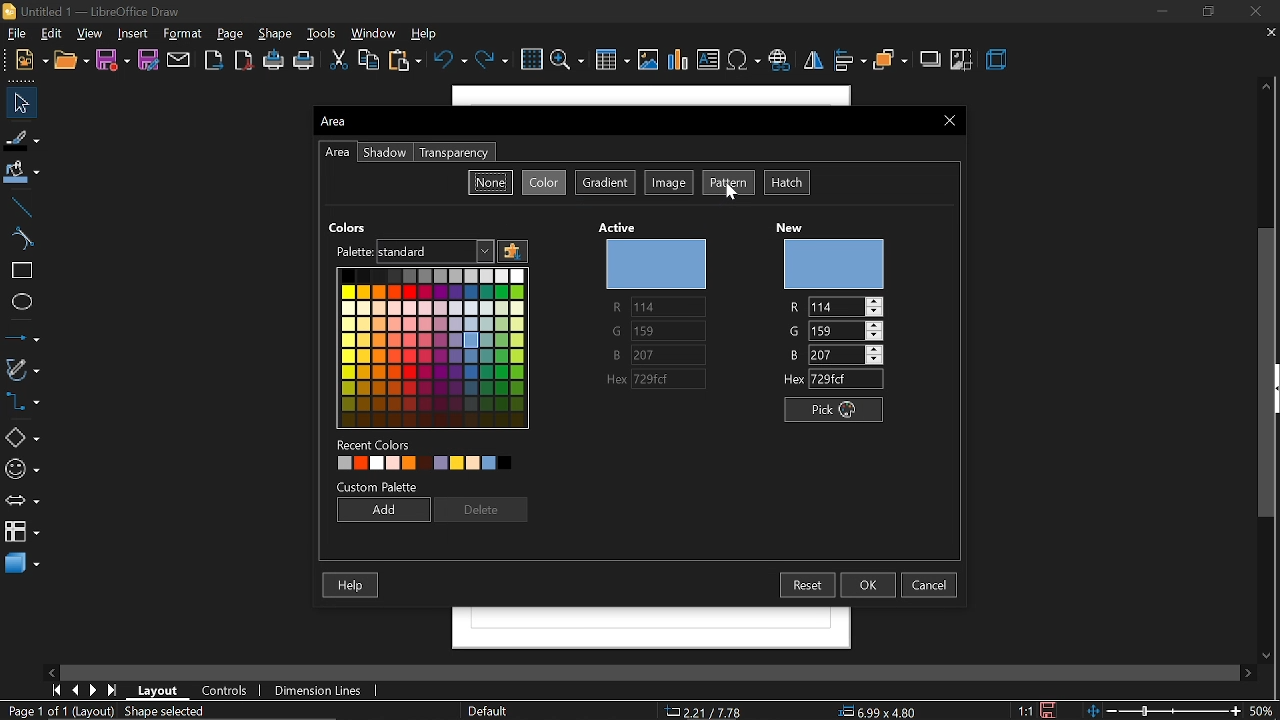 This screenshot has height=720, width=1280. I want to click on fill line, so click(21, 137).